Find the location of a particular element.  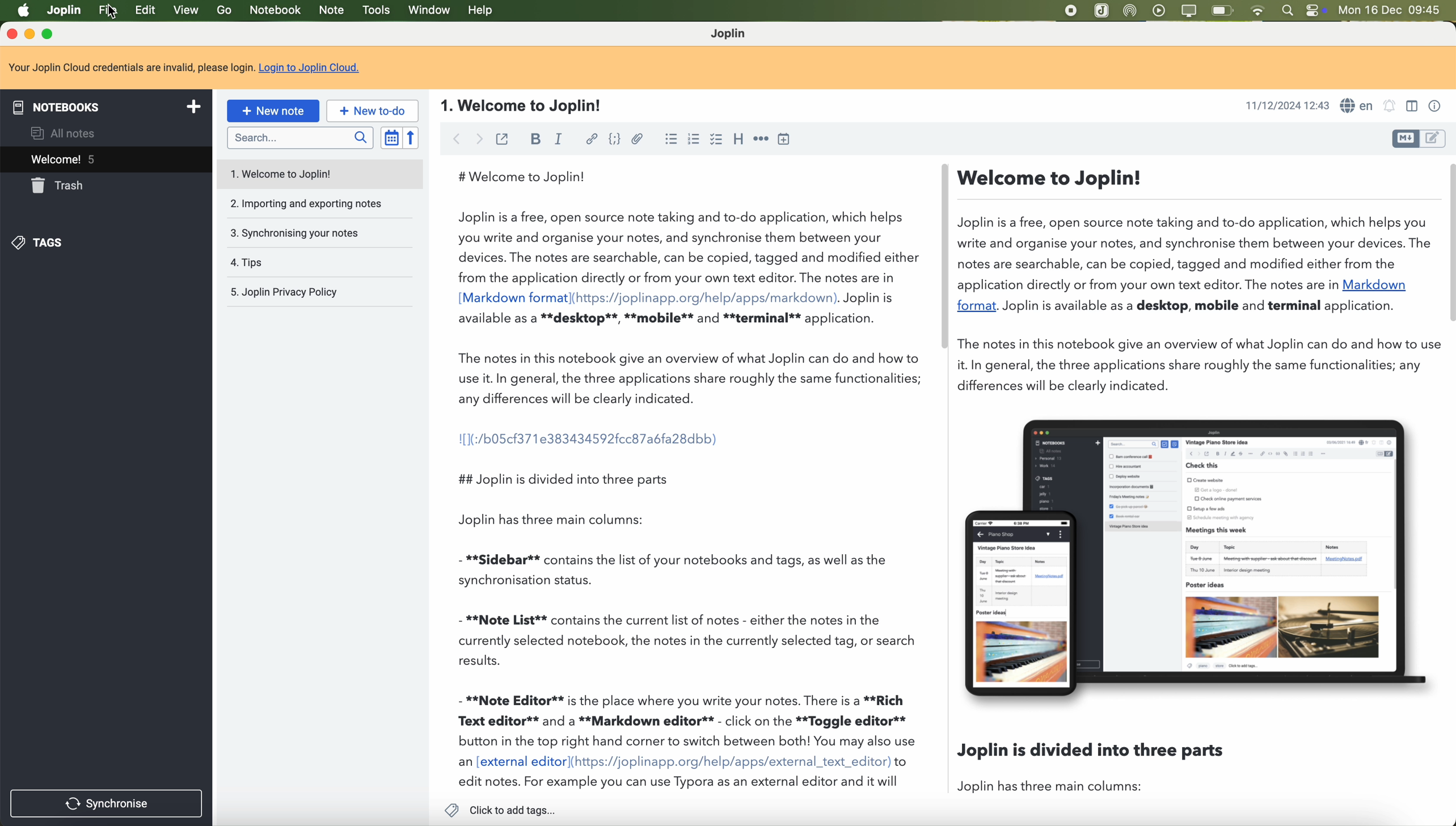

tags is located at coordinates (47, 243).